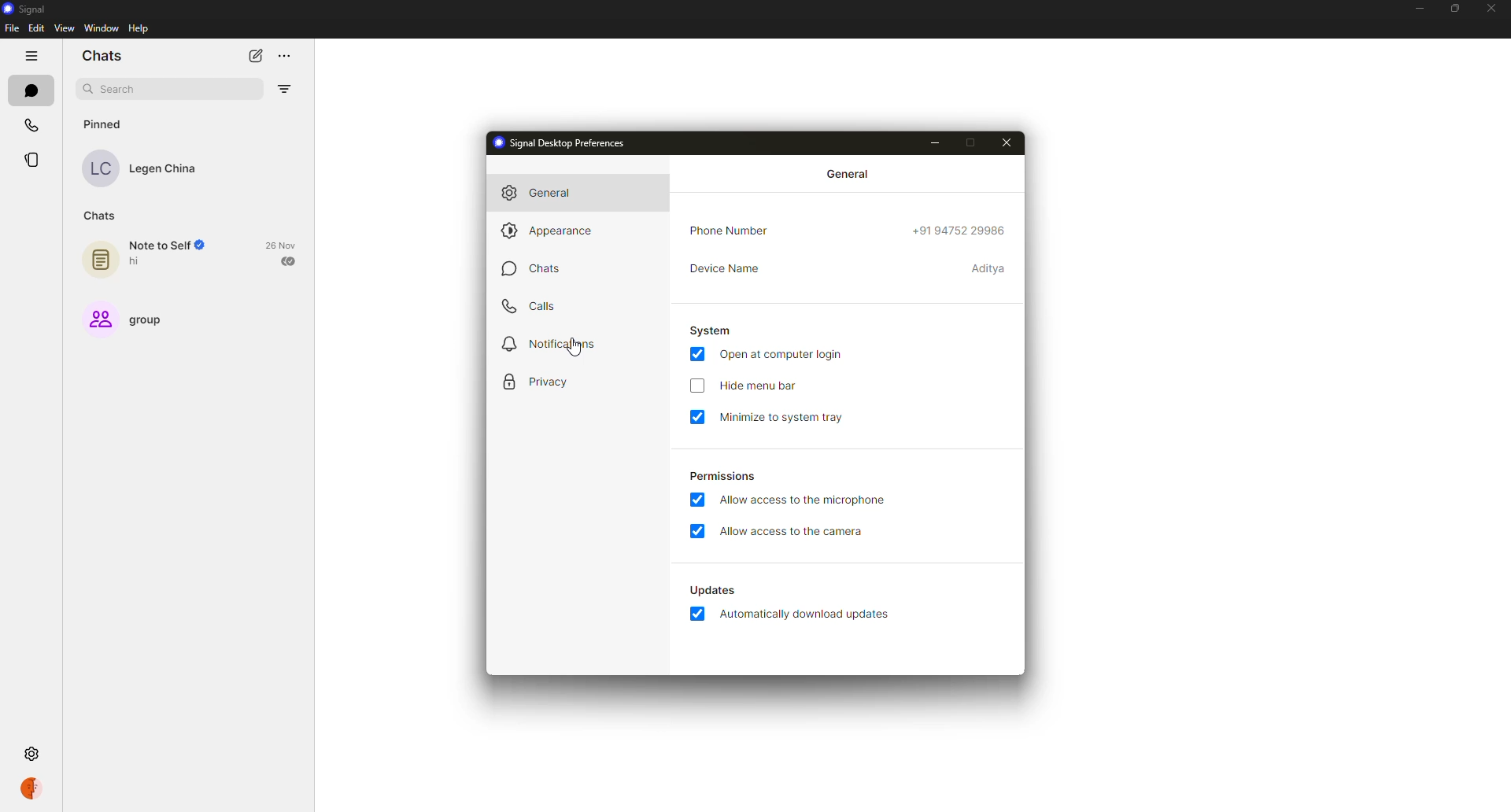 The width and height of the screenshot is (1511, 812). I want to click on privacy, so click(538, 380).